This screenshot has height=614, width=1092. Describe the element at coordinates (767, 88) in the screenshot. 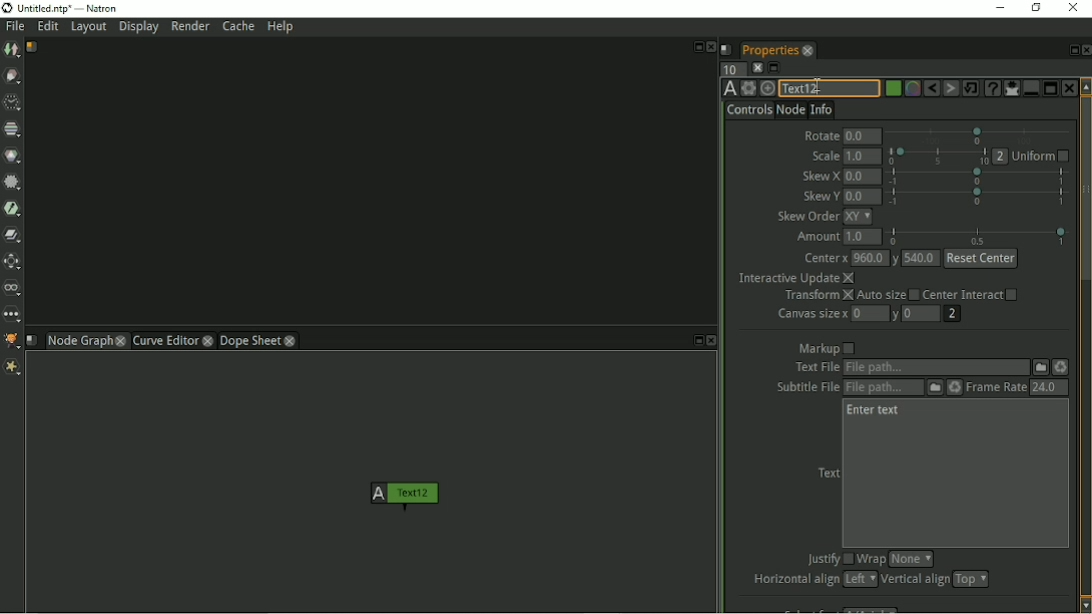

I see `Centers the node` at that location.